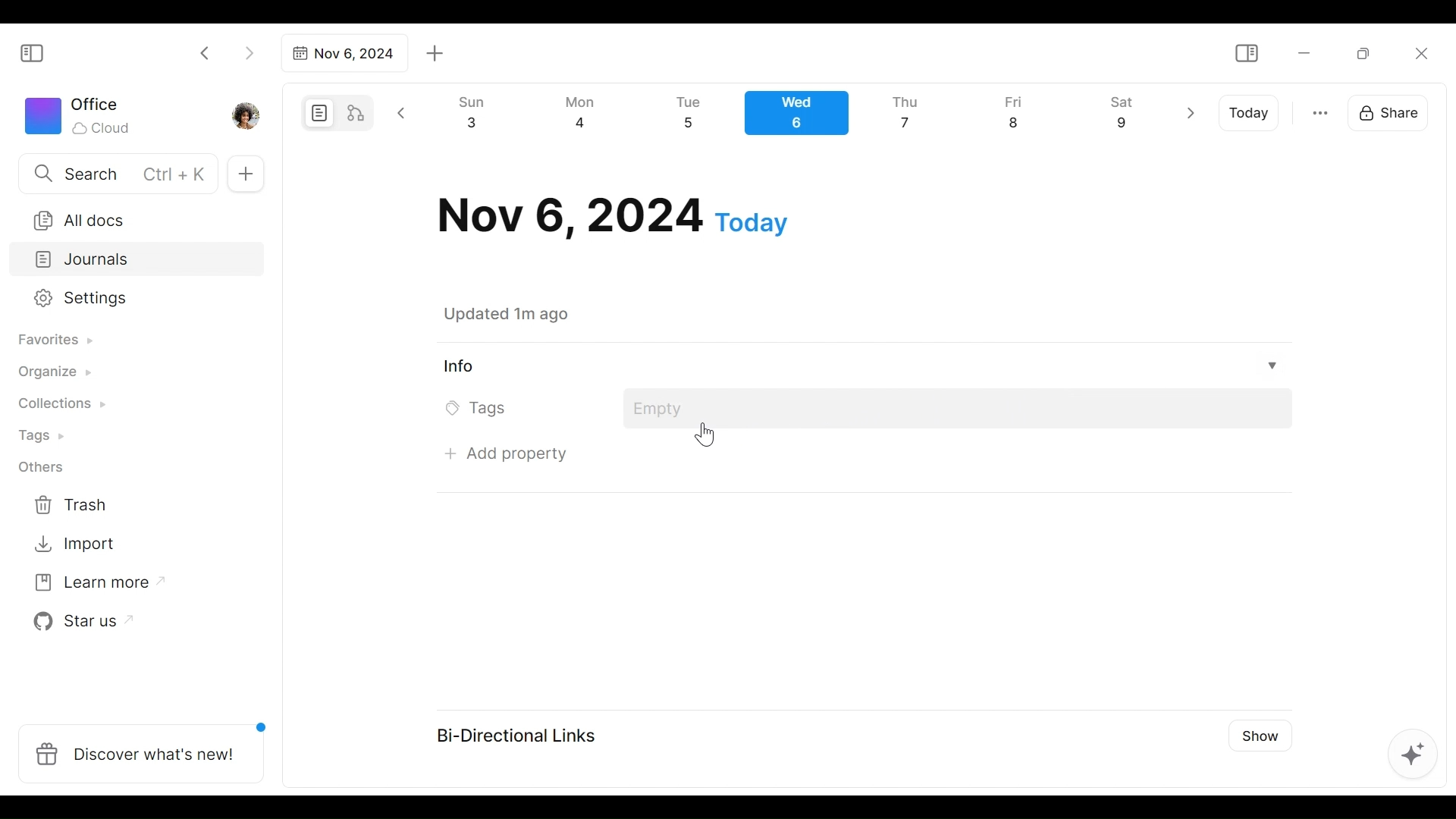  I want to click on Click to go back, so click(206, 52).